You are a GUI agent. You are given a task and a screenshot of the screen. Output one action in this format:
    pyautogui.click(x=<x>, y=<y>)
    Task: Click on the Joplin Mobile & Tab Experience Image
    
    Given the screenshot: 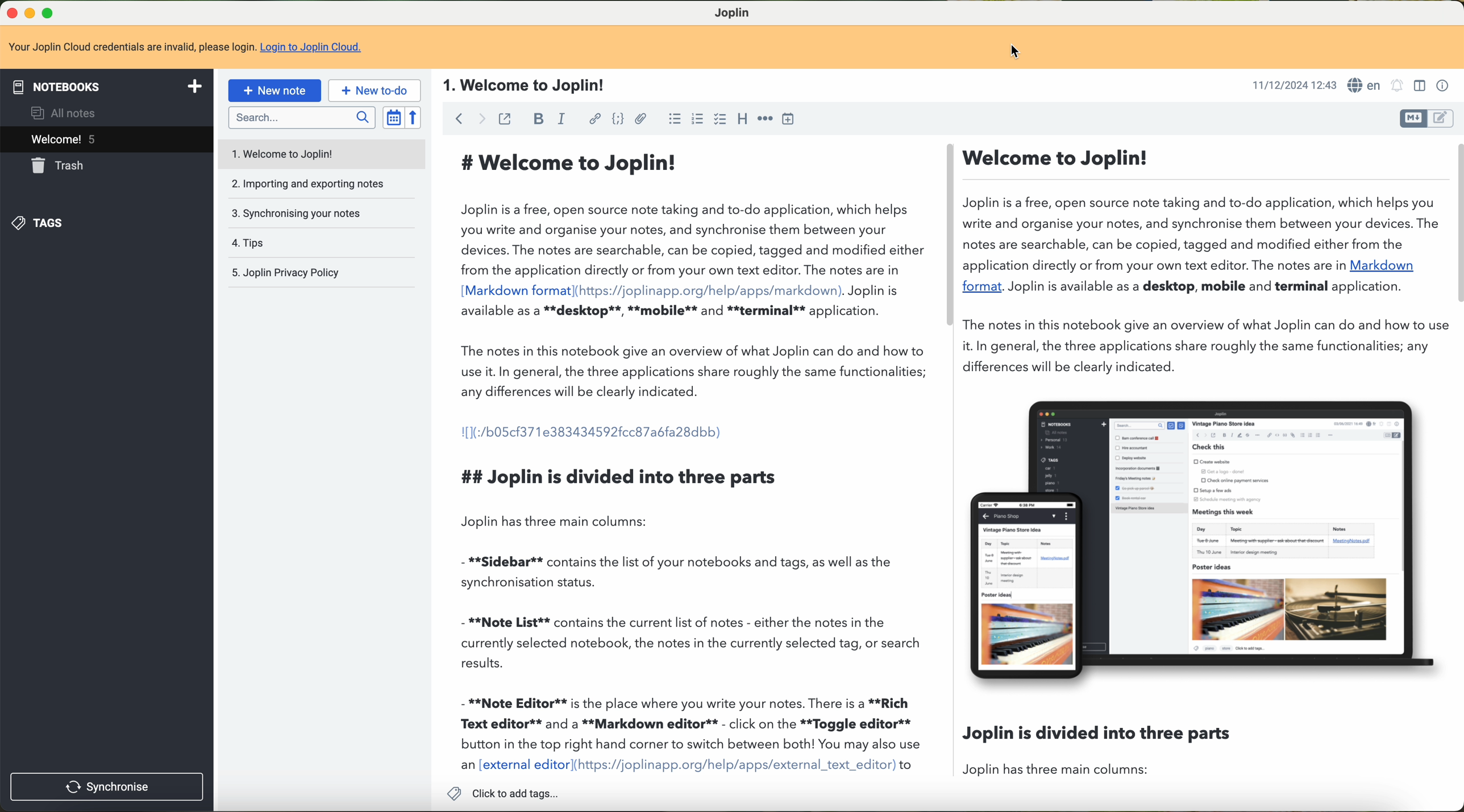 What is the action you would take?
    pyautogui.click(x=1204, y=542)
    